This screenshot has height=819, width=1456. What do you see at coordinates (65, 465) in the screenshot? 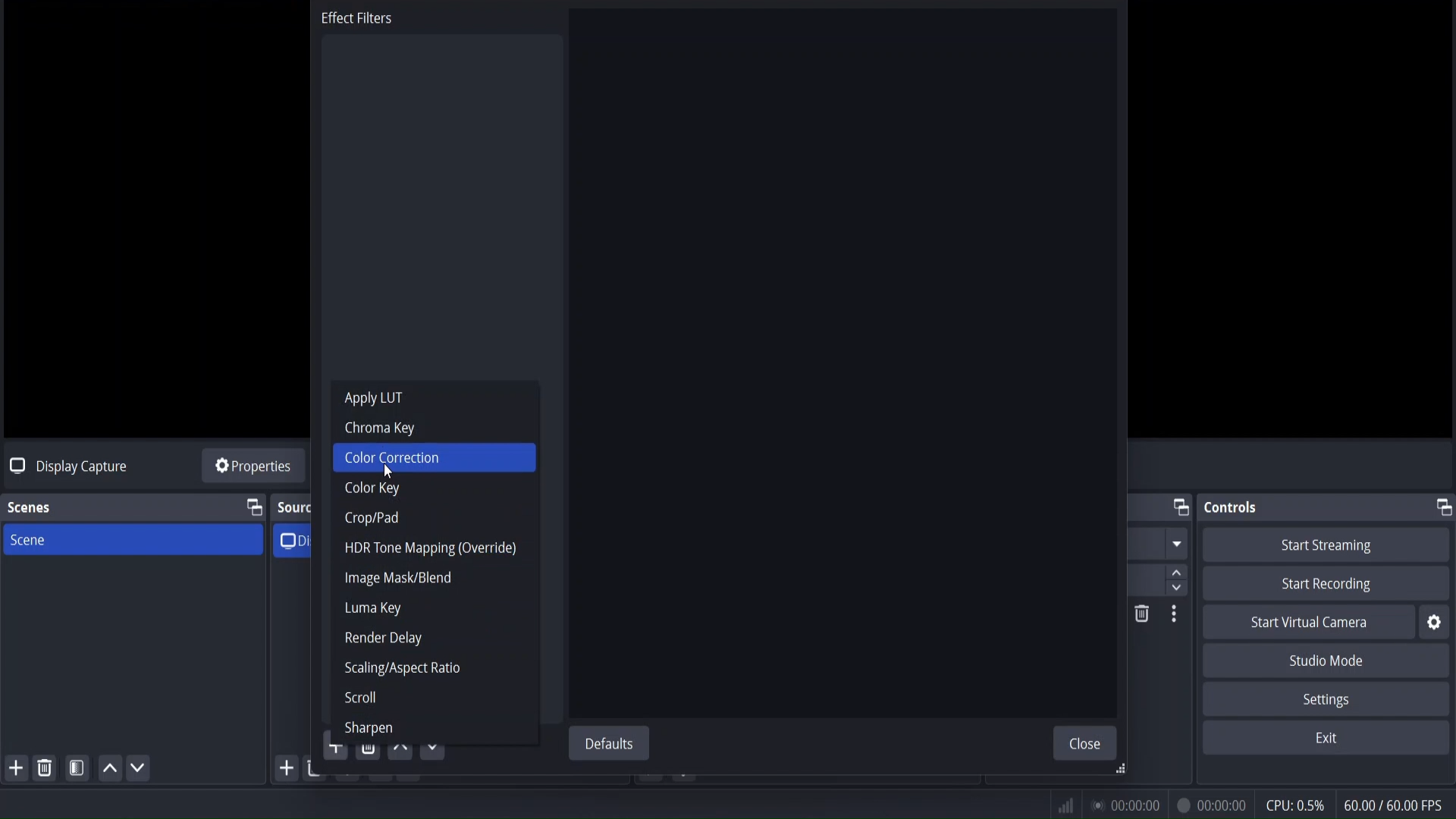
I see `no source selected` at bounding box center [65, 465].